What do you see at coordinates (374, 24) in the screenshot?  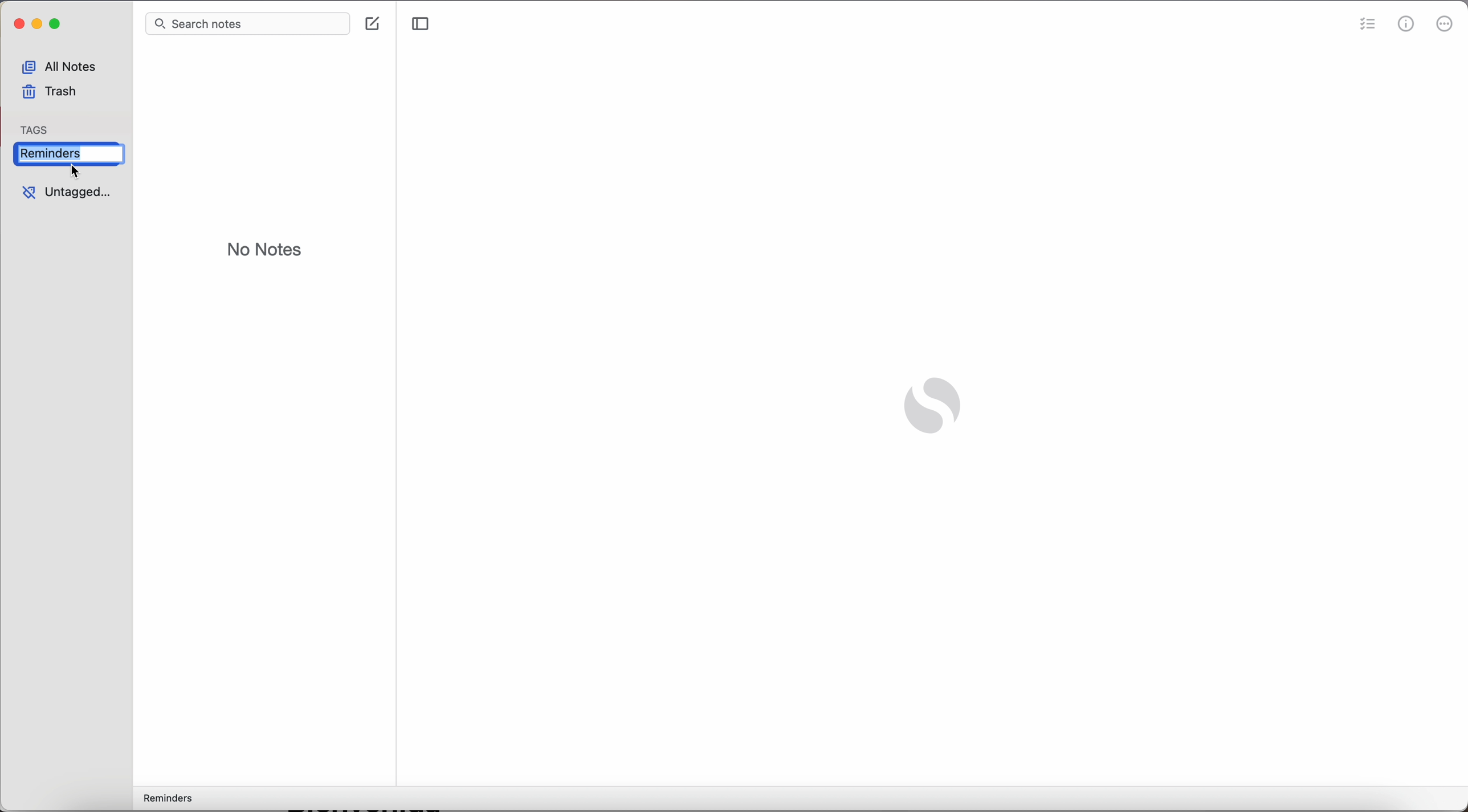 I see `create note` at bounding box center [374, 24].